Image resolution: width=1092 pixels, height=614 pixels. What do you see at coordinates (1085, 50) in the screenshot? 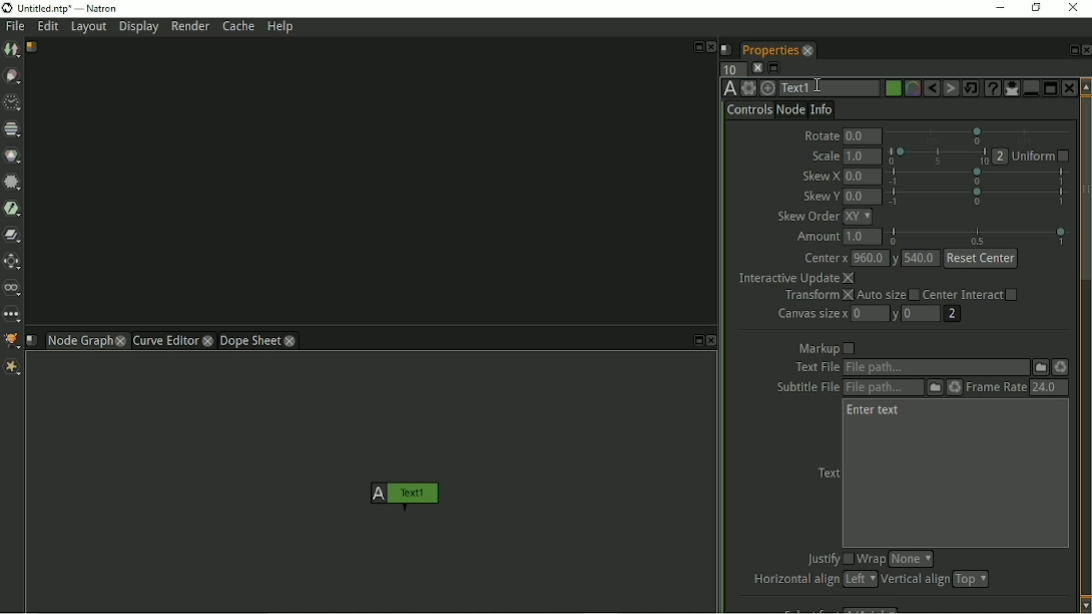
I see `Close` at bounding box center [1085, 50].